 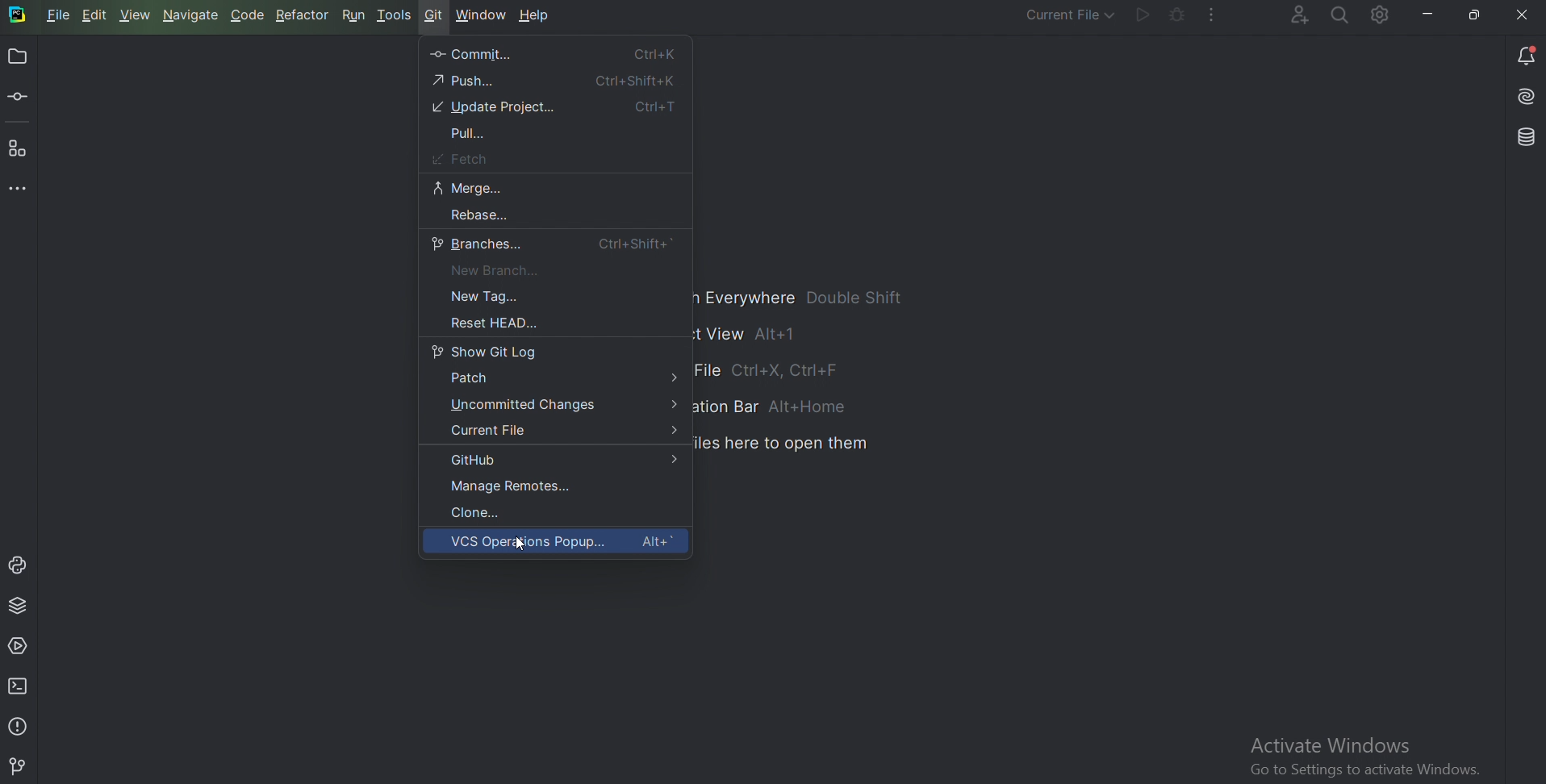 What do you see at coordinates (779, 407) in the screenshot?
I see `Navigation bar` at bounding box center [779, 407].